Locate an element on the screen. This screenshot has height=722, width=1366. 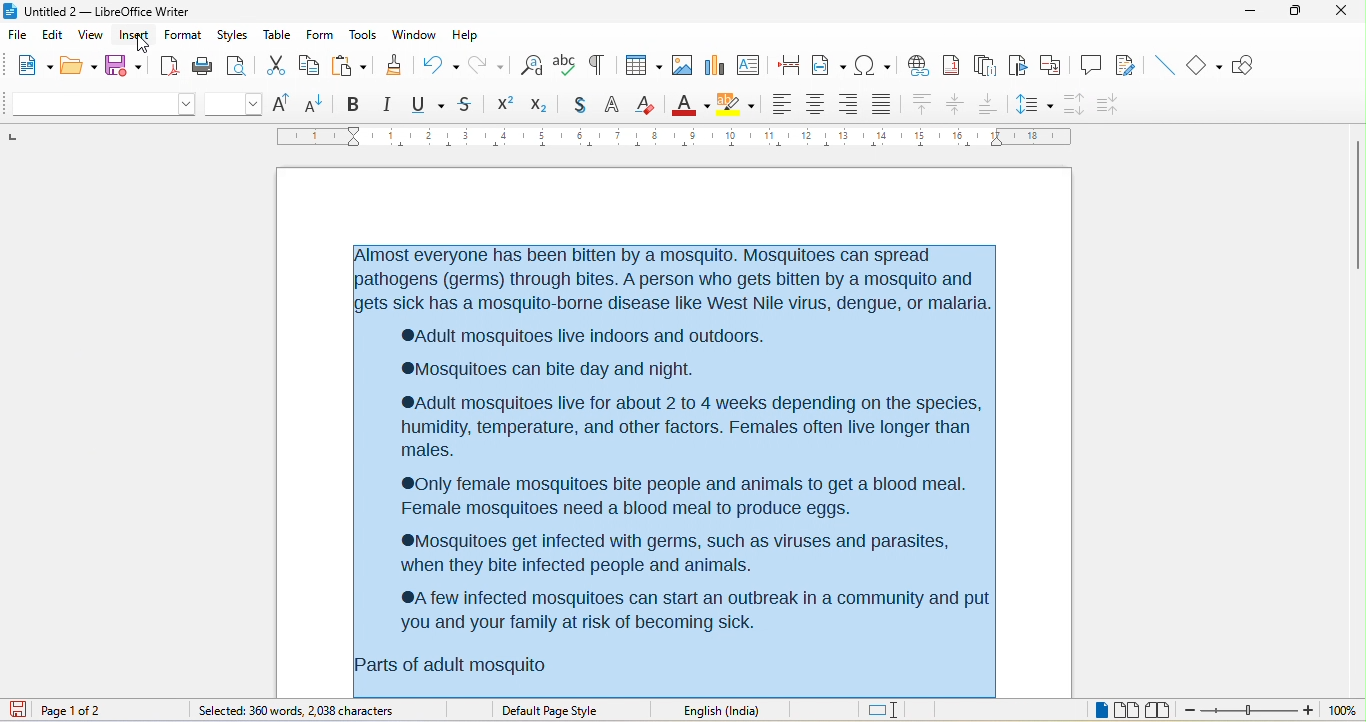
save is located at coordinates (123, 64).